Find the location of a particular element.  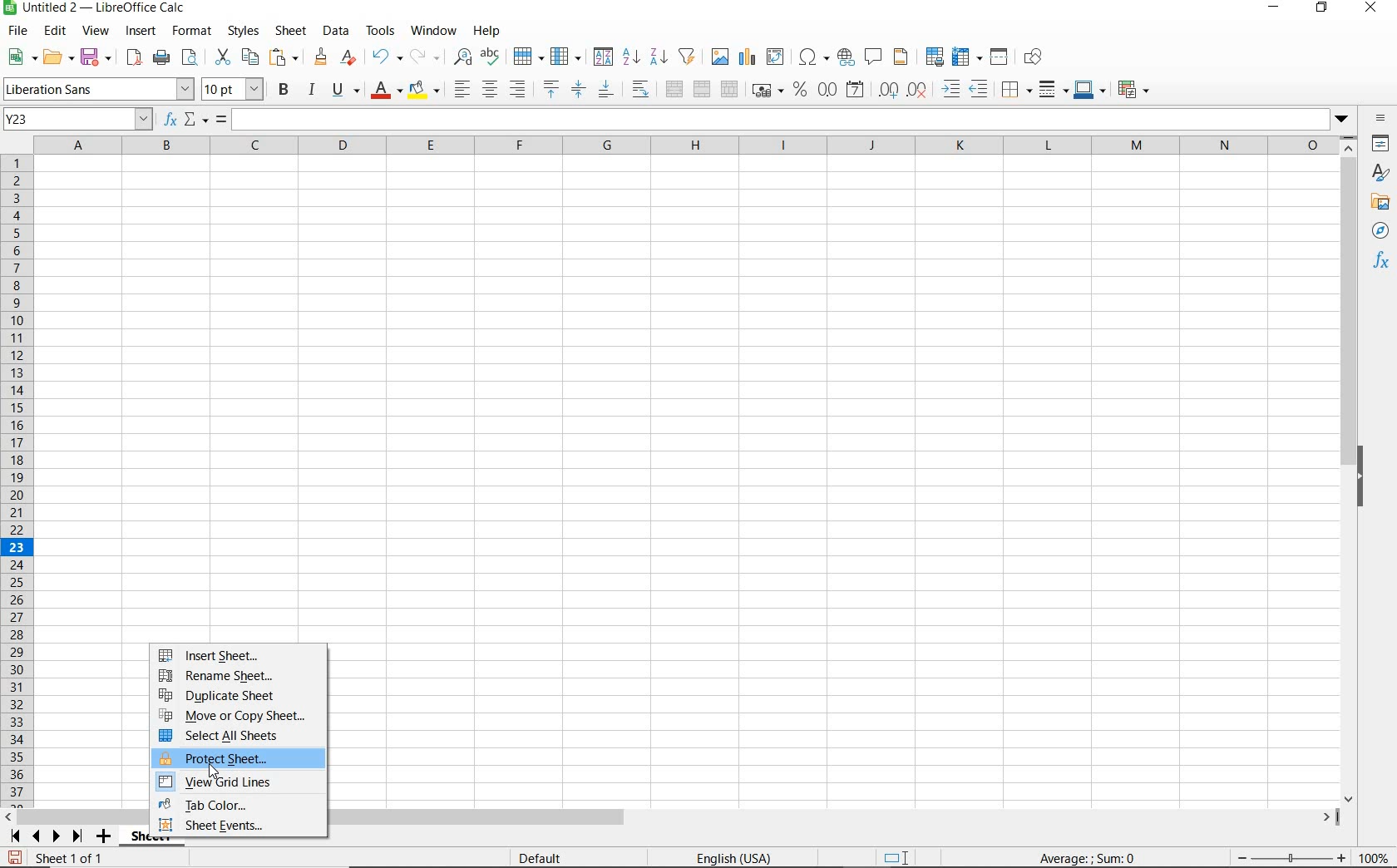

CUT is located at coordinates (221, 56).